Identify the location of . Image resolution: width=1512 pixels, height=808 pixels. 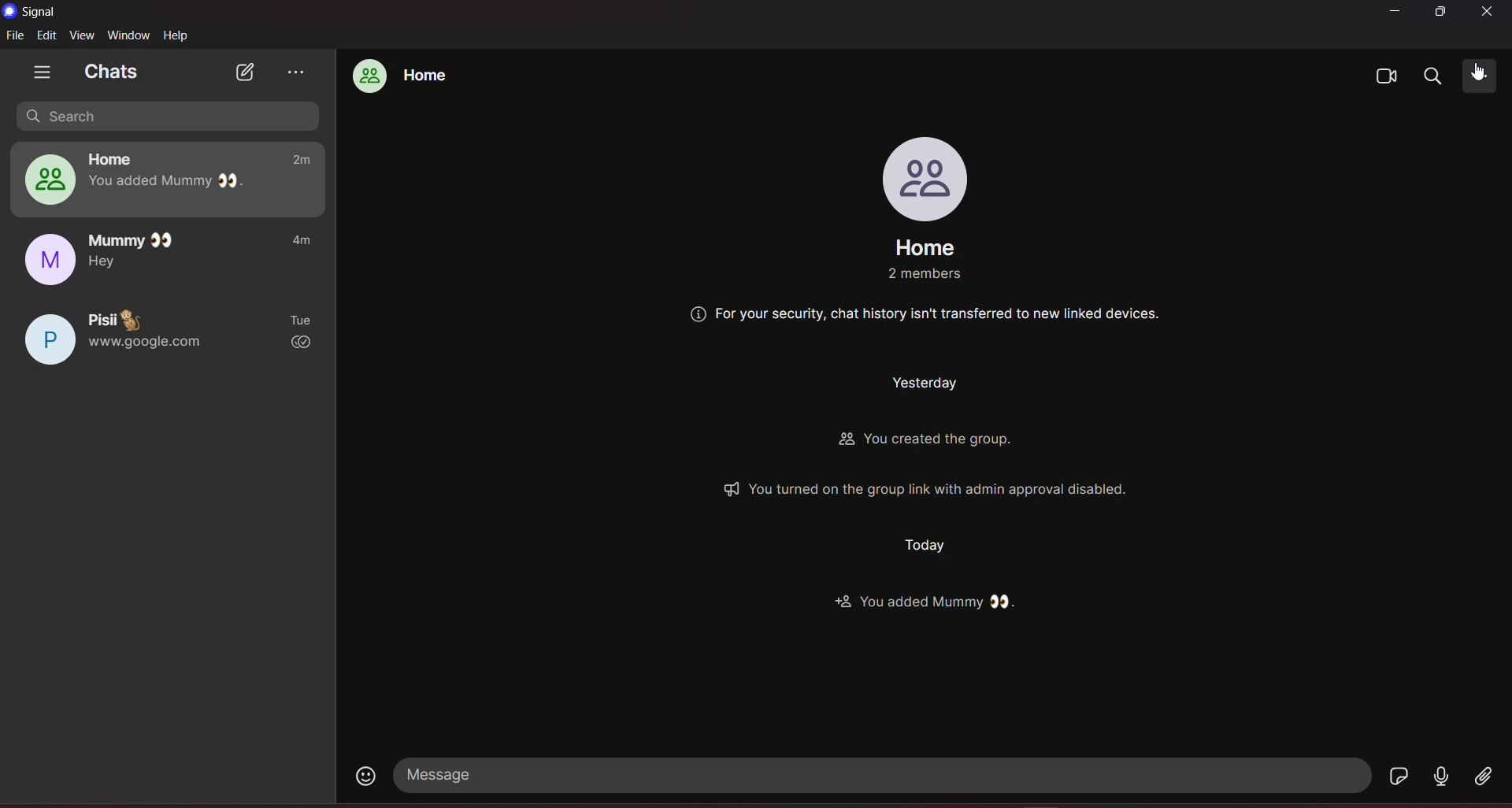
(930, 444).